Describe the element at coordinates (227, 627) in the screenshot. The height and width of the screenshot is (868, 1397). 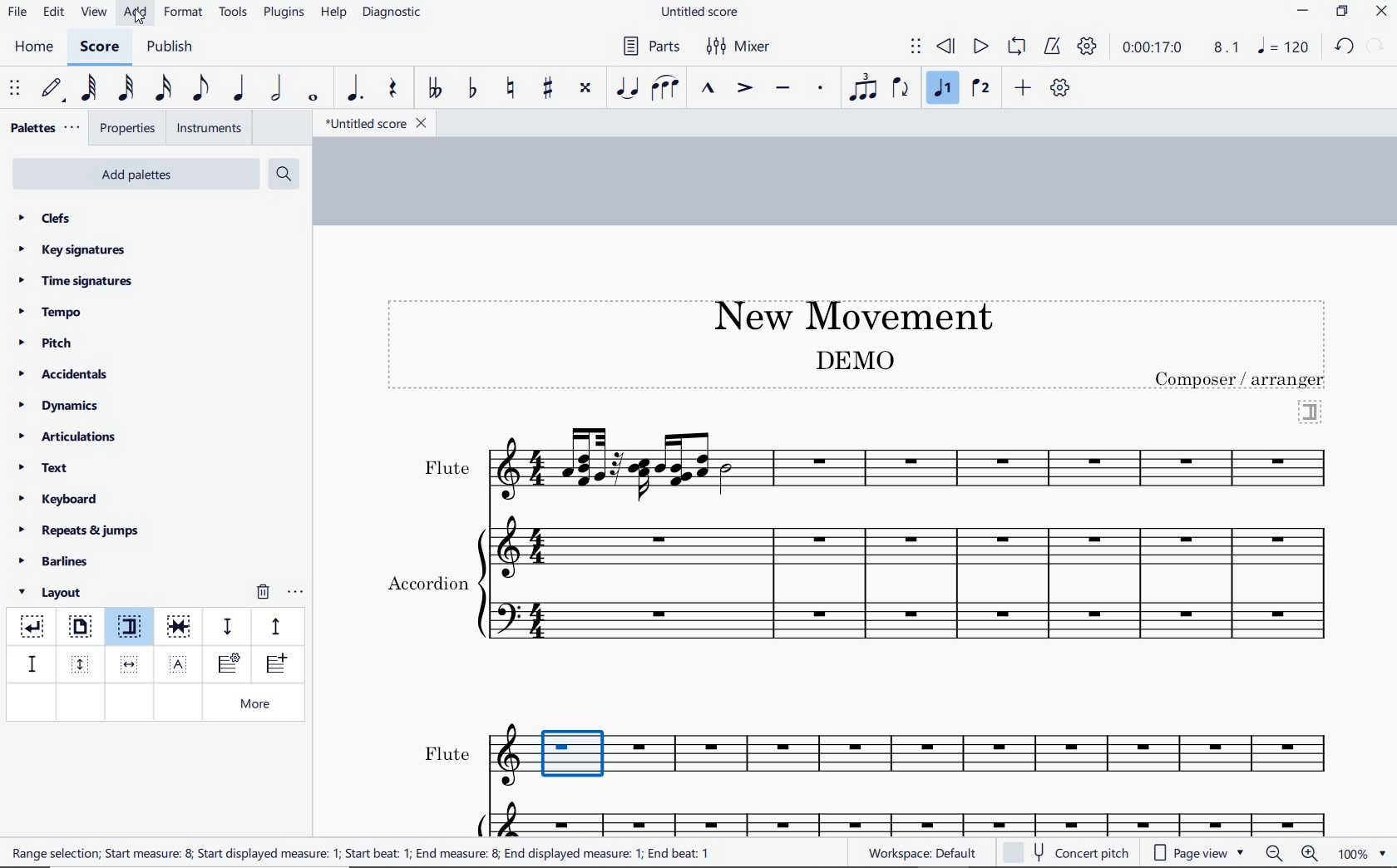
I see `staff spacer sown` at that location.